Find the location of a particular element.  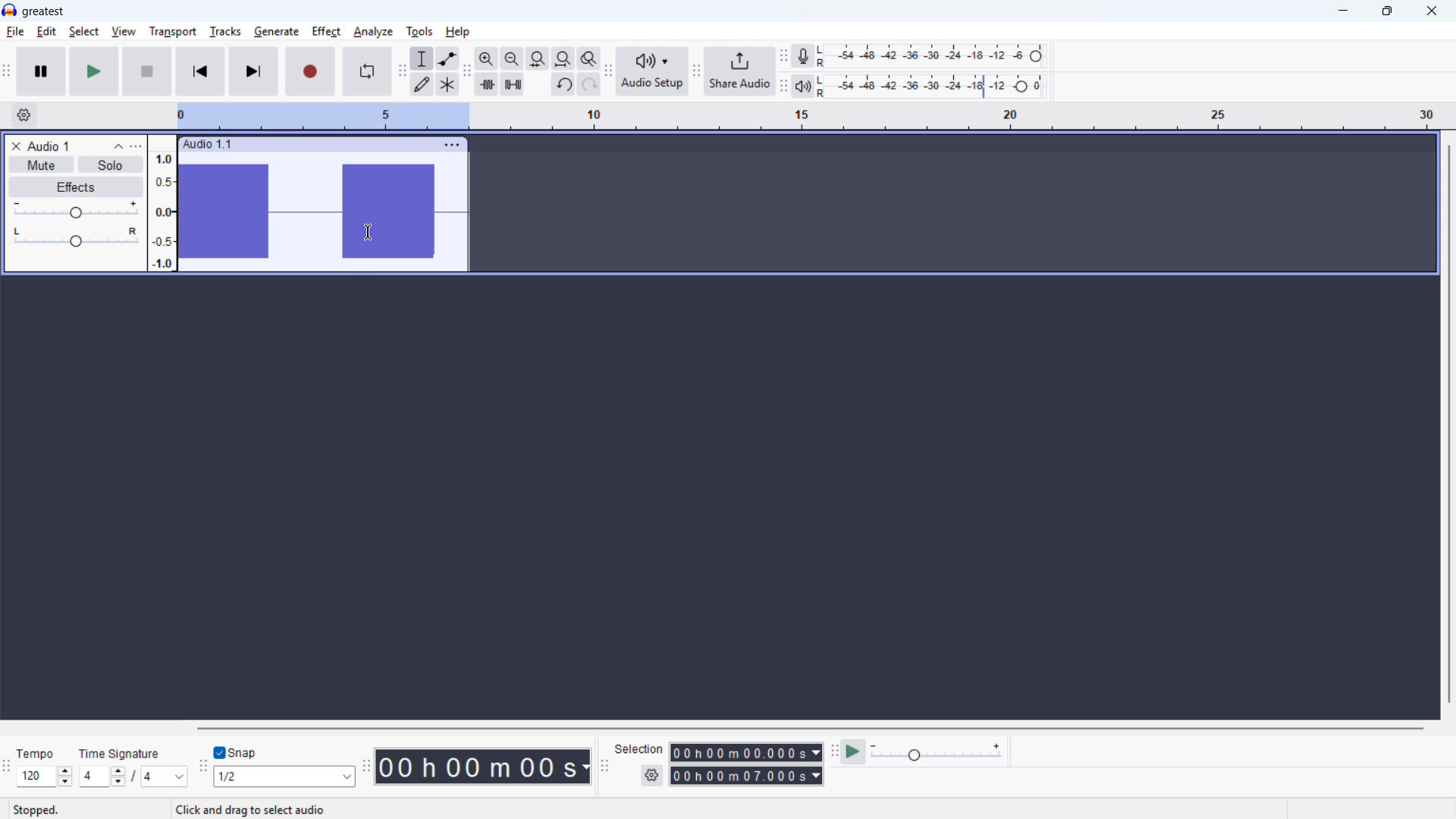

Silence audio selection  is located at coordinates (512, 84).